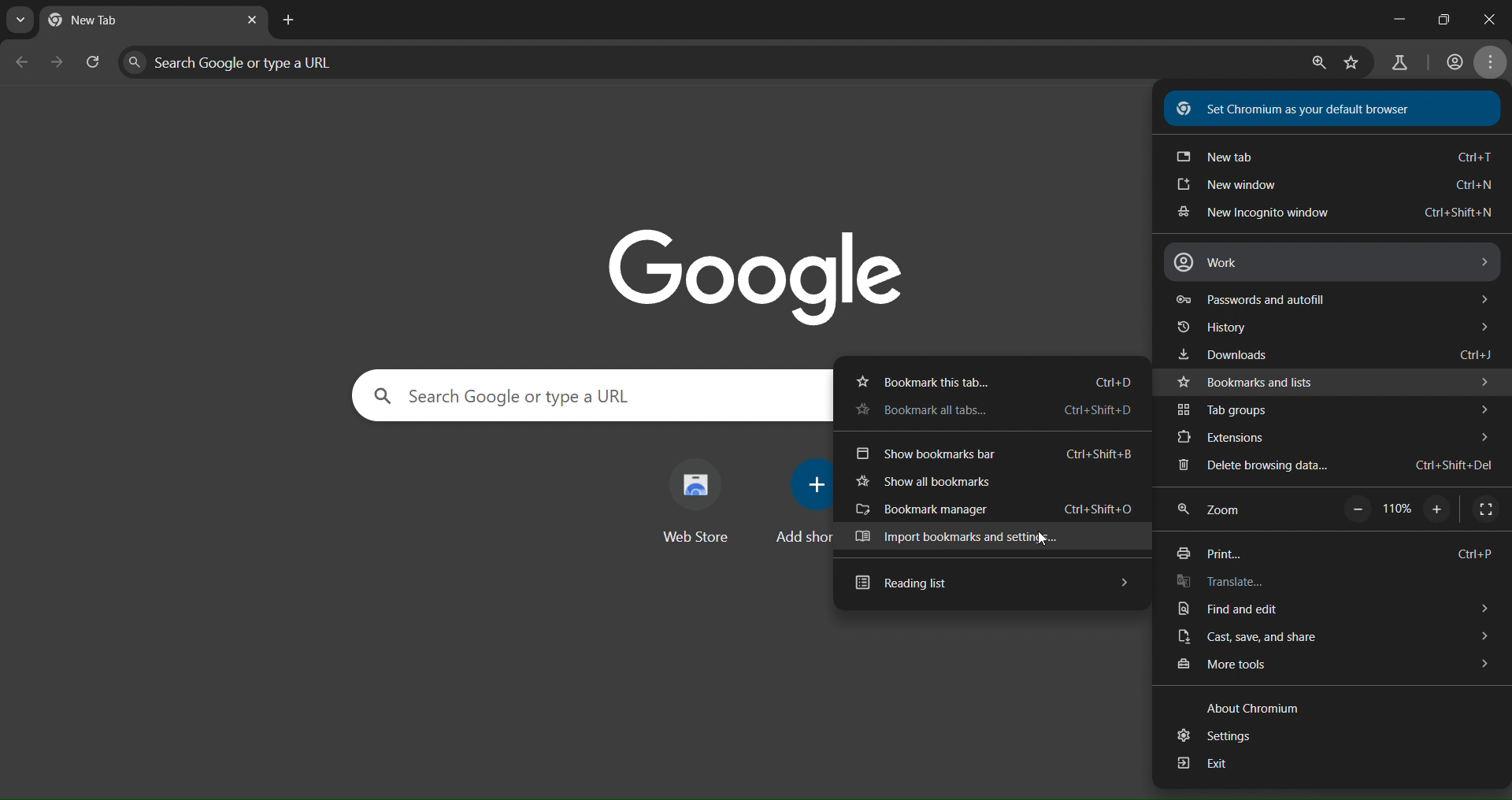  What do you see at coordinates (1214, 512) in the screenshot?
I see `zoom ` at bounding box center [1214, 512].